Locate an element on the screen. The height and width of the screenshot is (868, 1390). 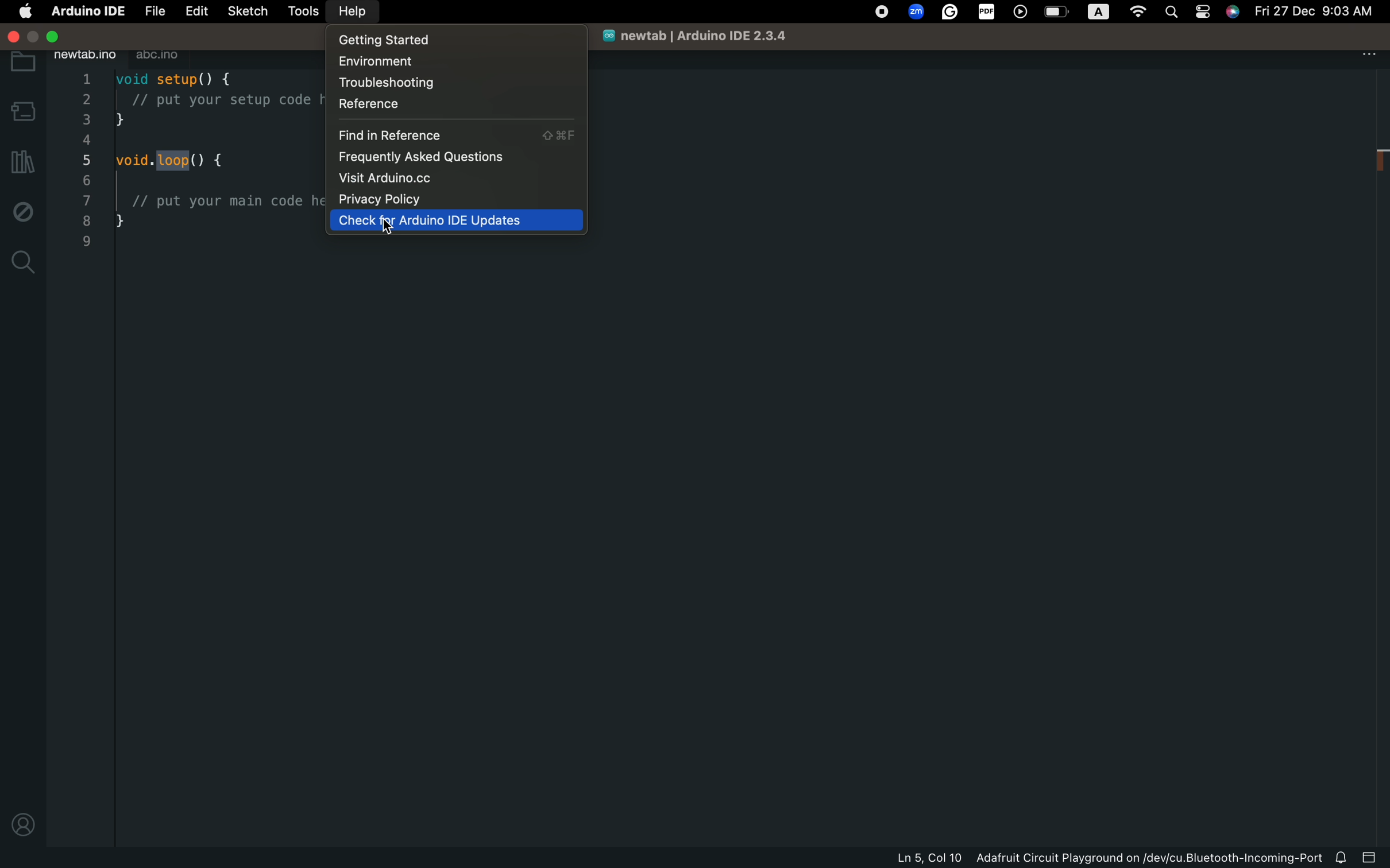
Adafruit Circuit Playground on/dev/cu.Bluetooth-Incoming-Port is located at coordinates (1147, 858).